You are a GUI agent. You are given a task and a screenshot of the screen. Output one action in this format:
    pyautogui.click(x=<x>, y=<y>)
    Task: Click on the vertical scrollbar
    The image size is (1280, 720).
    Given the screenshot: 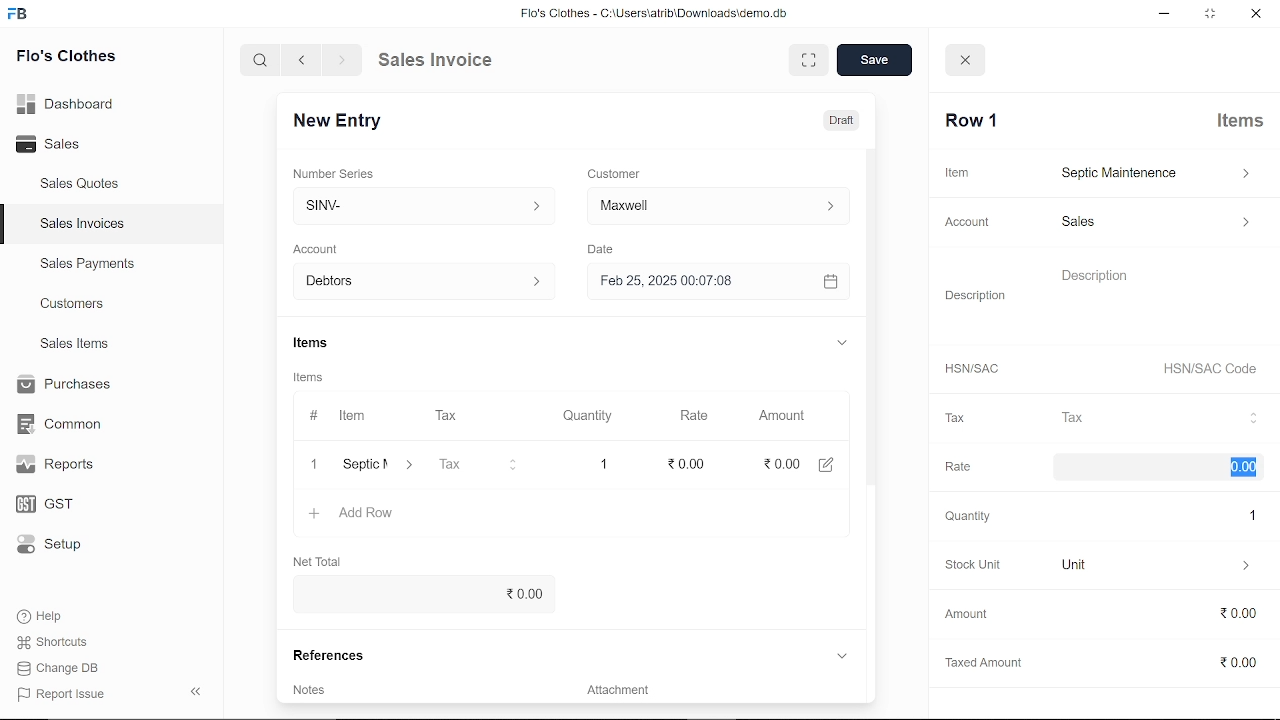 What is the action you would take?
    pyautogui.click(x=875, y=325)
    